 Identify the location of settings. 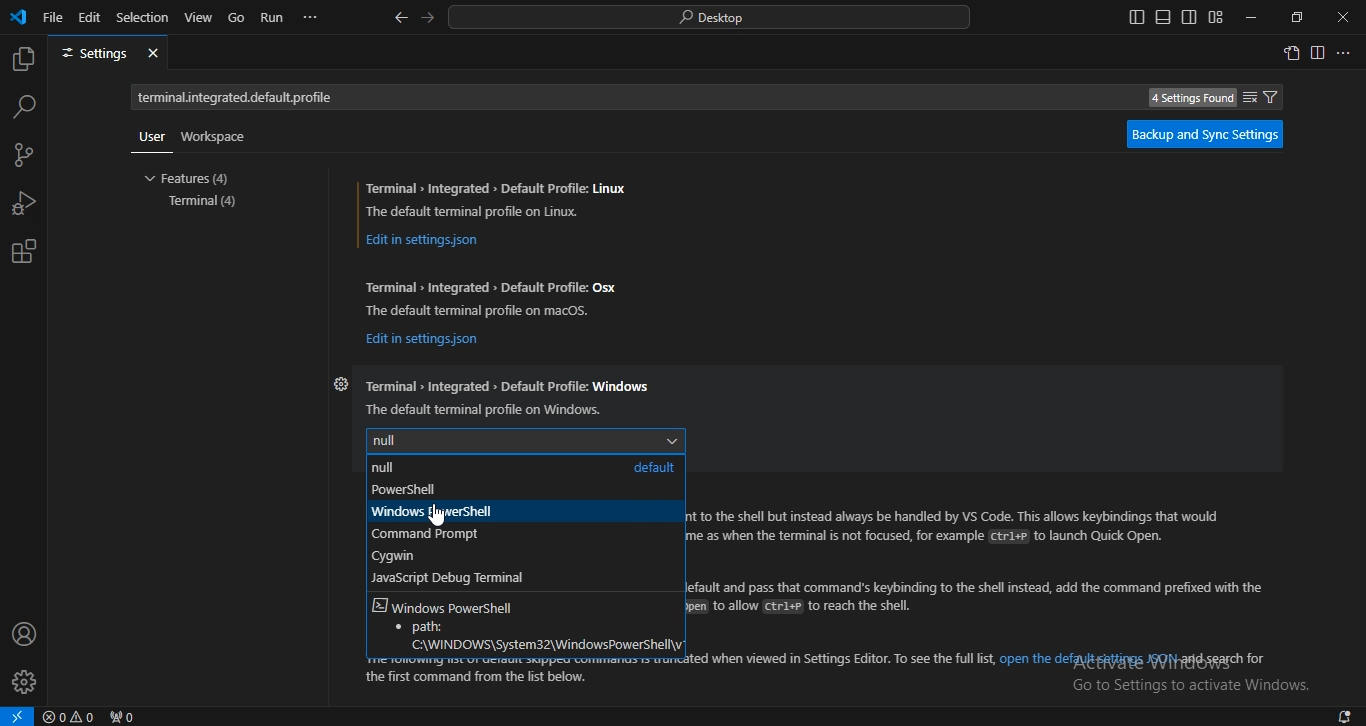
(338, 384).